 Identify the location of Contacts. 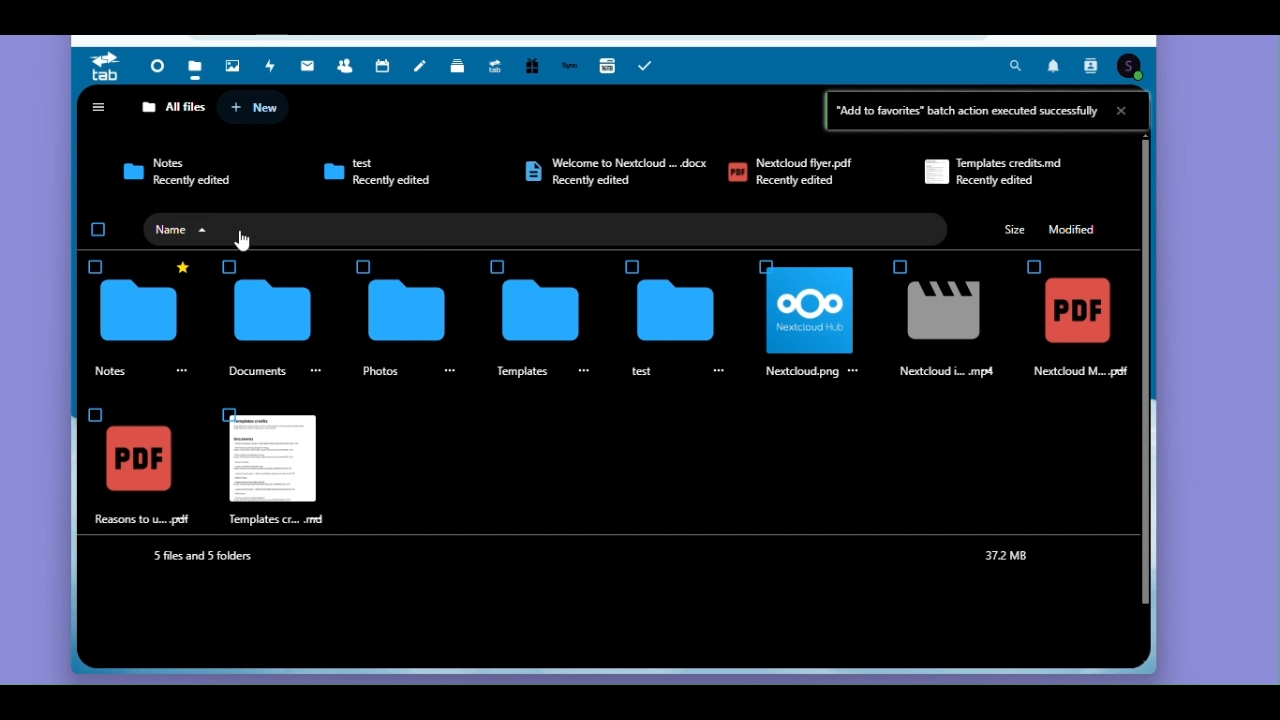
(348, 65).